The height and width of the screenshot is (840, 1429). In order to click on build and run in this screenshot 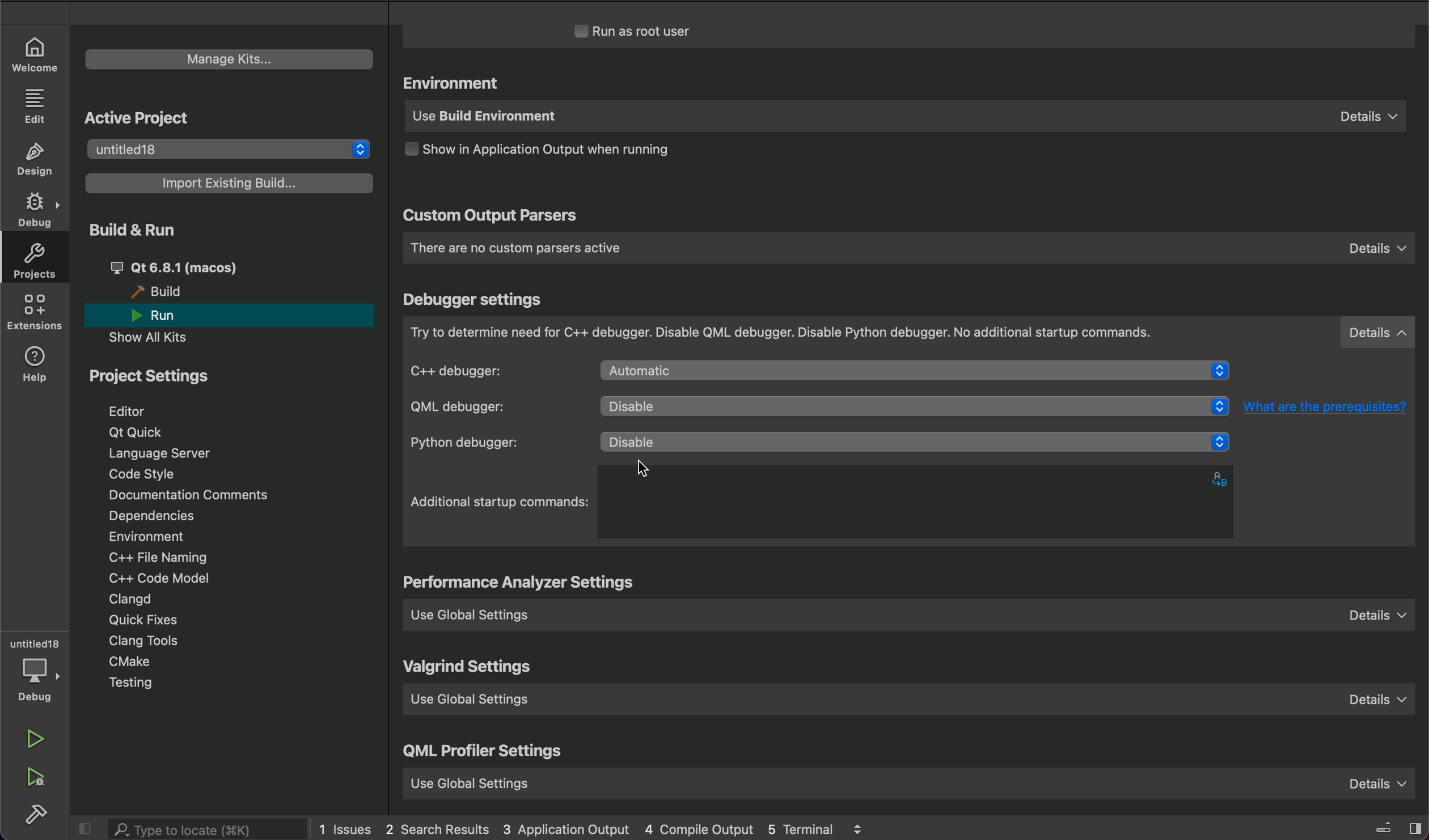, I will do `click(130, 229)`.